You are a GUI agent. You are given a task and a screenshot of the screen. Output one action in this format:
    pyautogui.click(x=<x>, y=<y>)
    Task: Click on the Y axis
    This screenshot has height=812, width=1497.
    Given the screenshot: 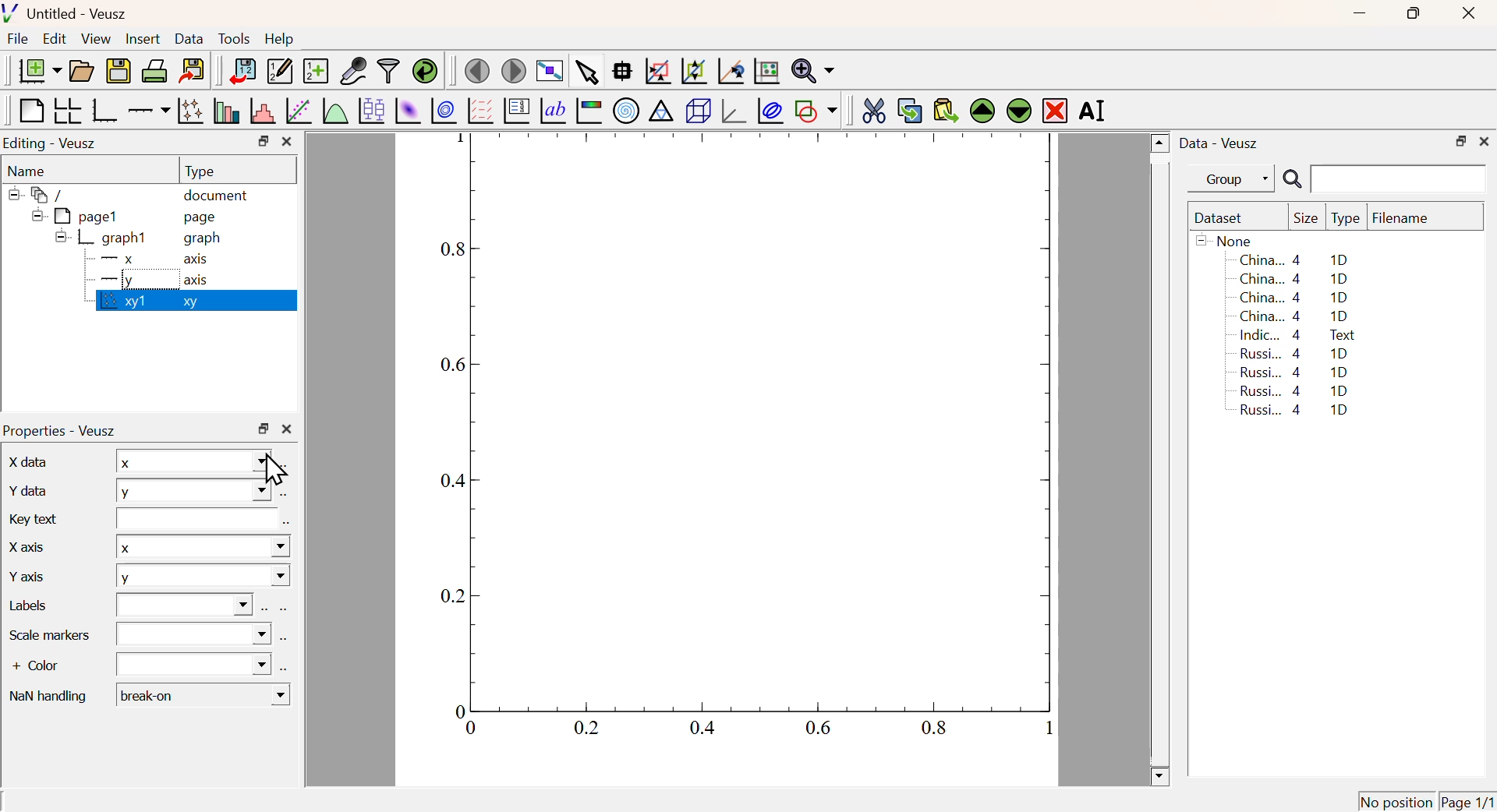 What is the action you would take?
    pyautogui.click(x=30, y=574)
    